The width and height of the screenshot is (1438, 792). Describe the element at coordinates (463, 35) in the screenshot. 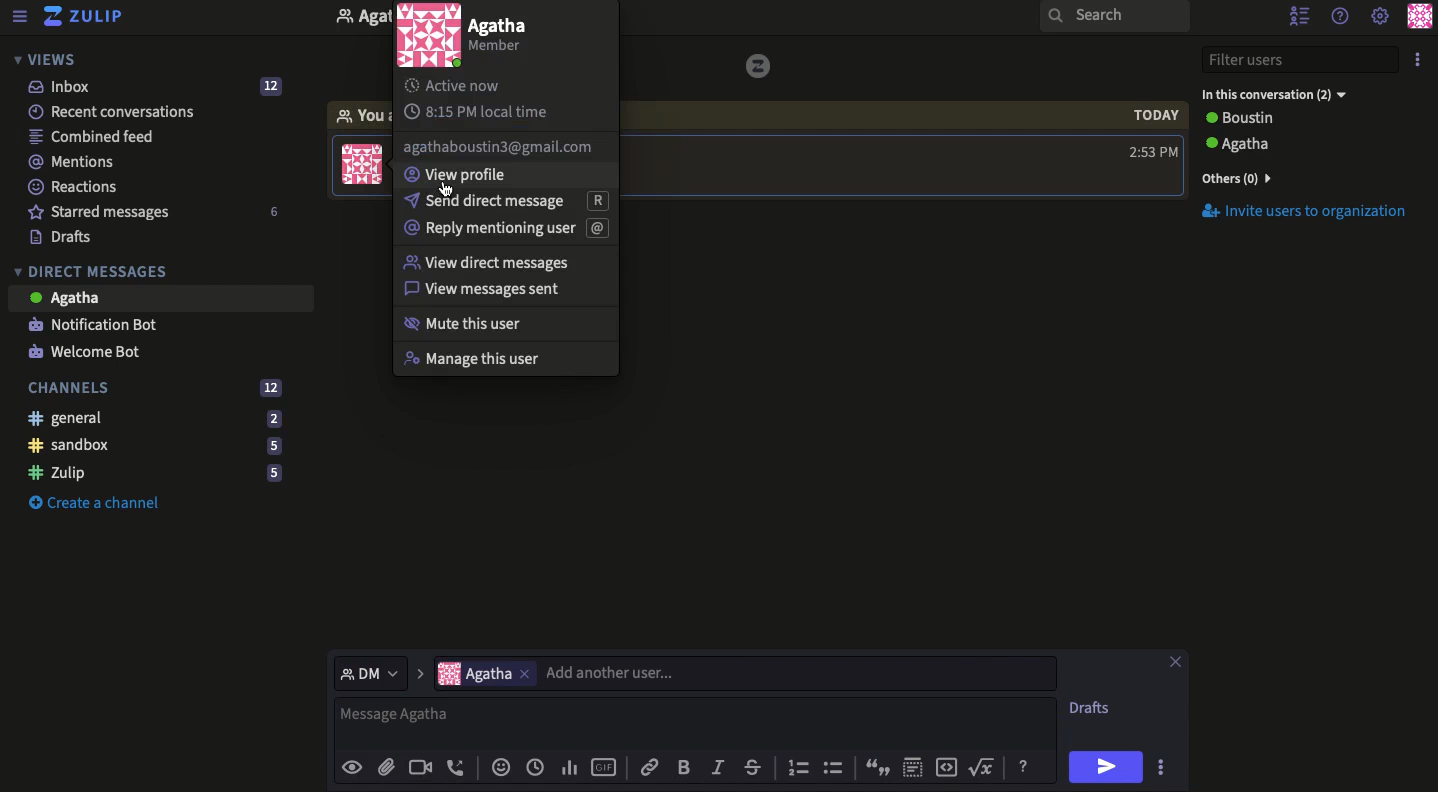

I see `User` at that location.